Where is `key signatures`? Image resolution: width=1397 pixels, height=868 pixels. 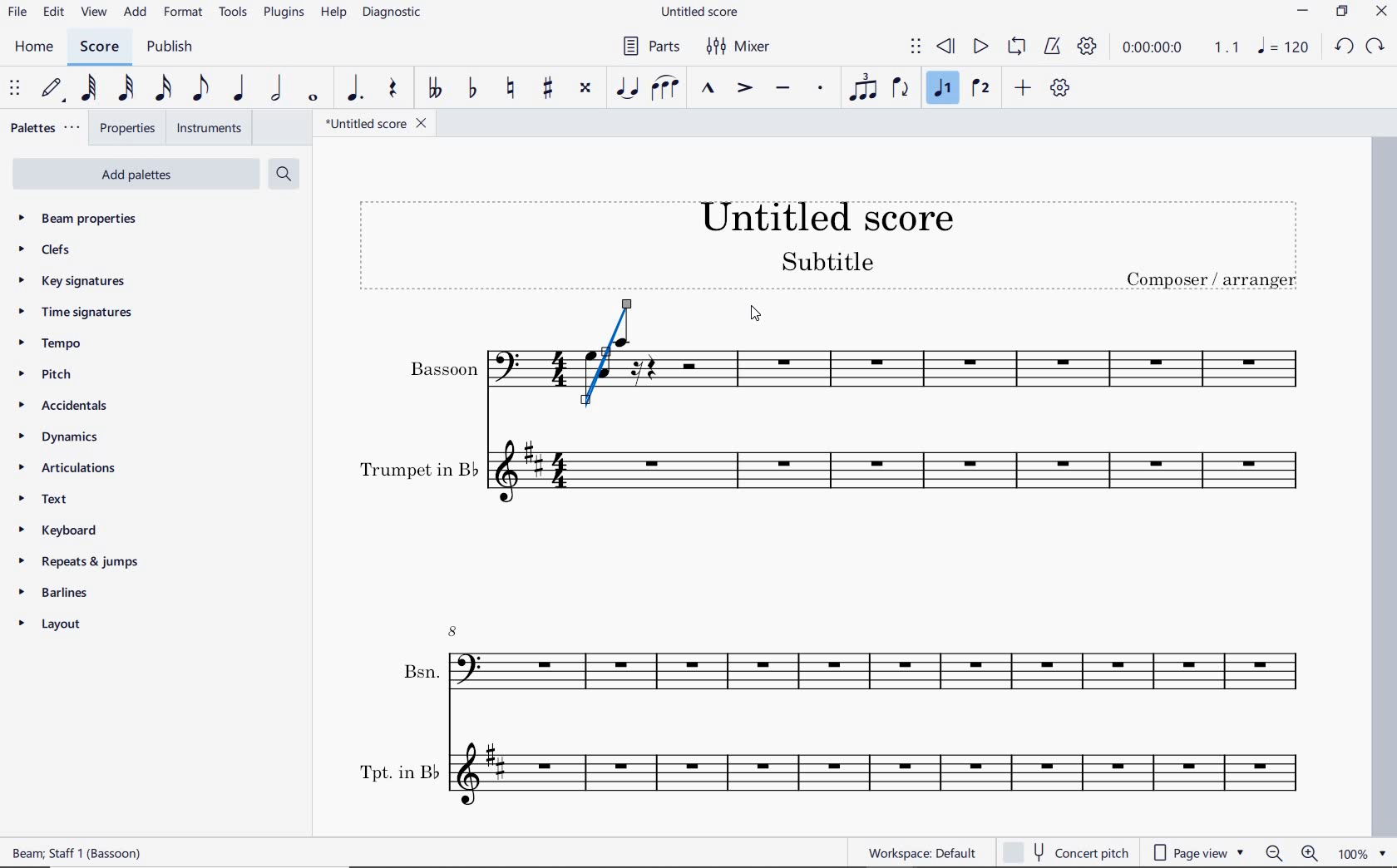 key signatures is located at coordinates (68, 282).